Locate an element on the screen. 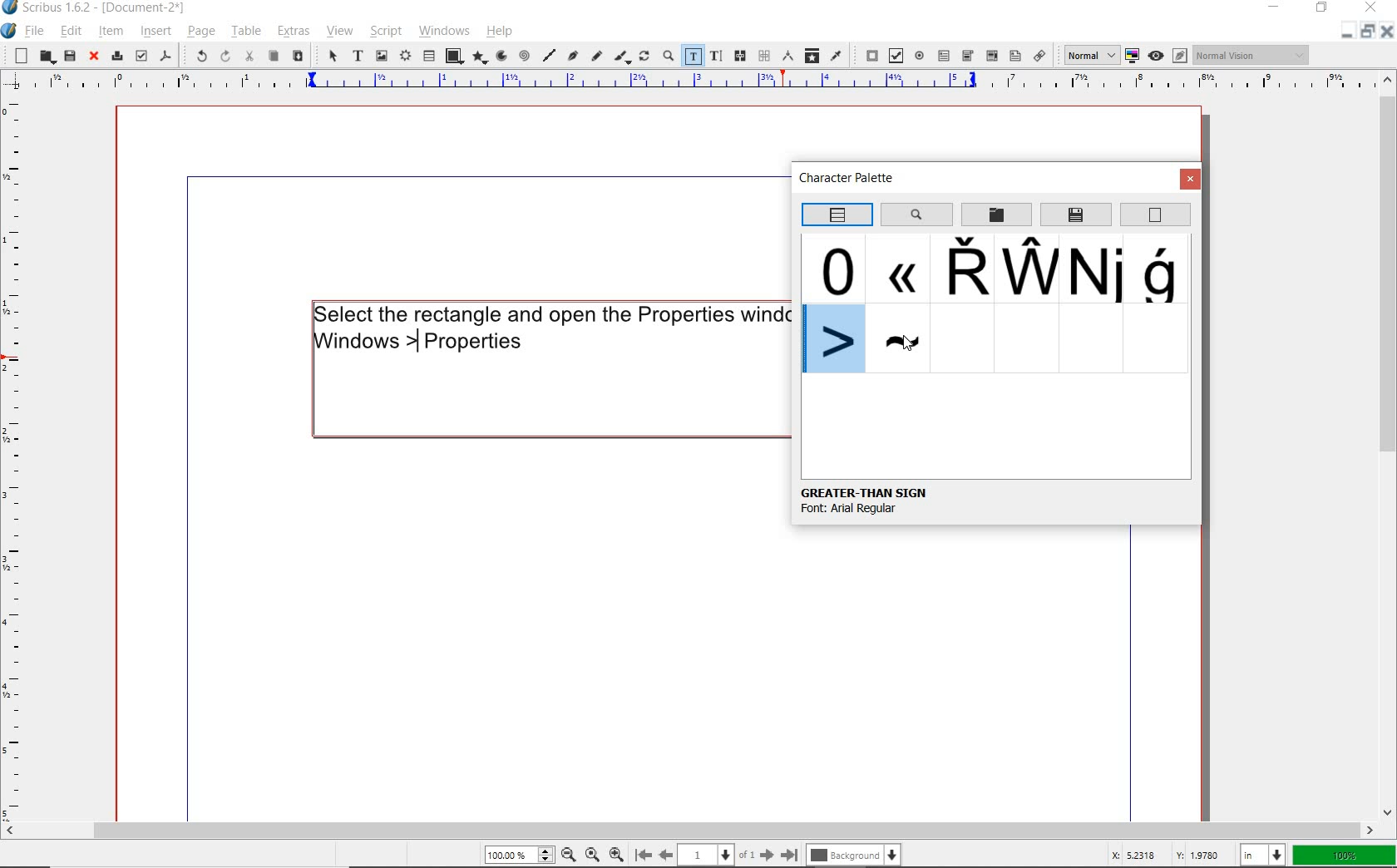 This screenshot has width=1397, height=868. go to the first page is located at coordinates (642, 854).